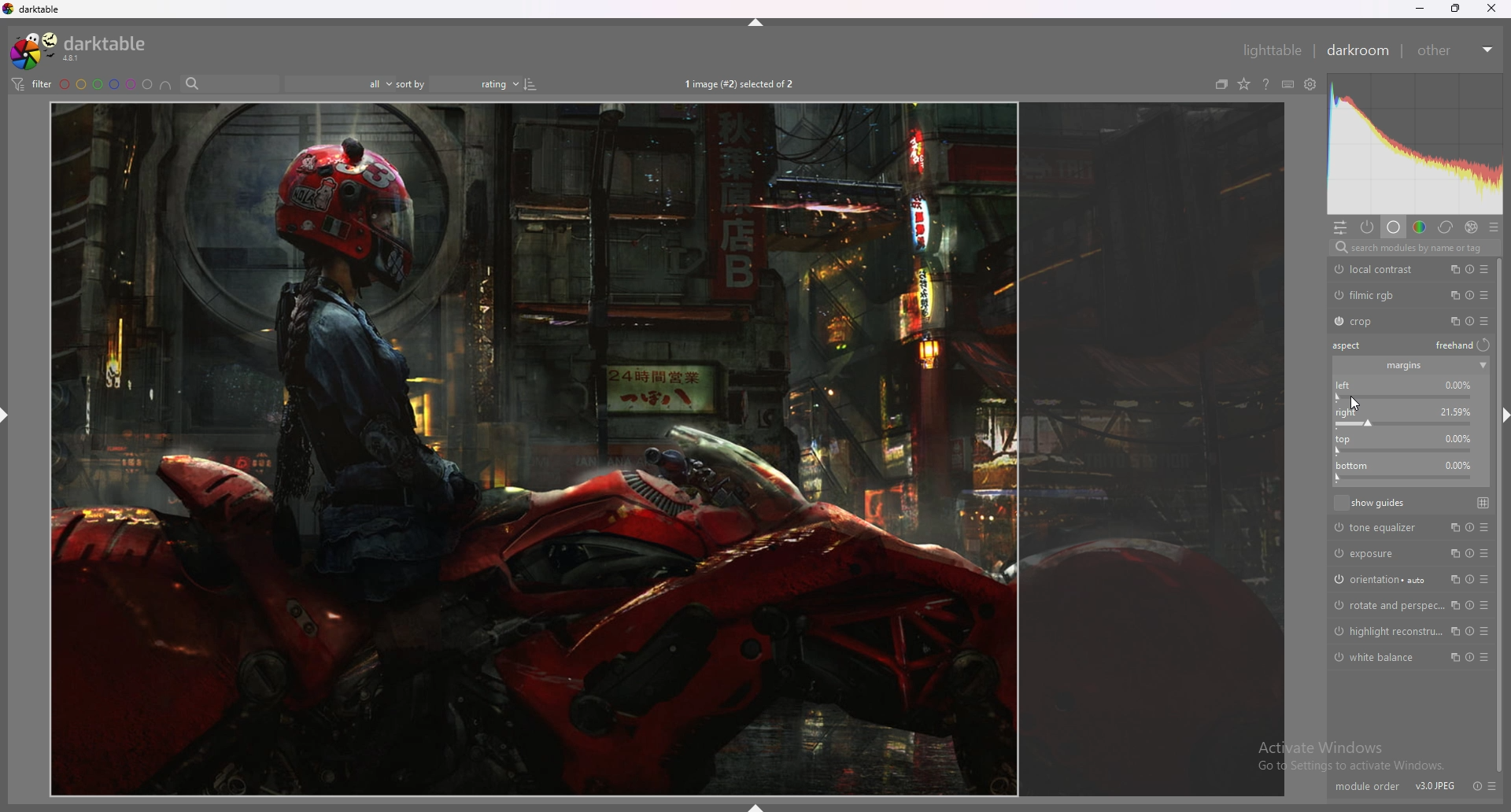 Image resolution: width=1511 pixels, height=812 pixels. Describe the element at coordinates (1221, 84) in the screenshot. I see `collapse grouped images` at that location.